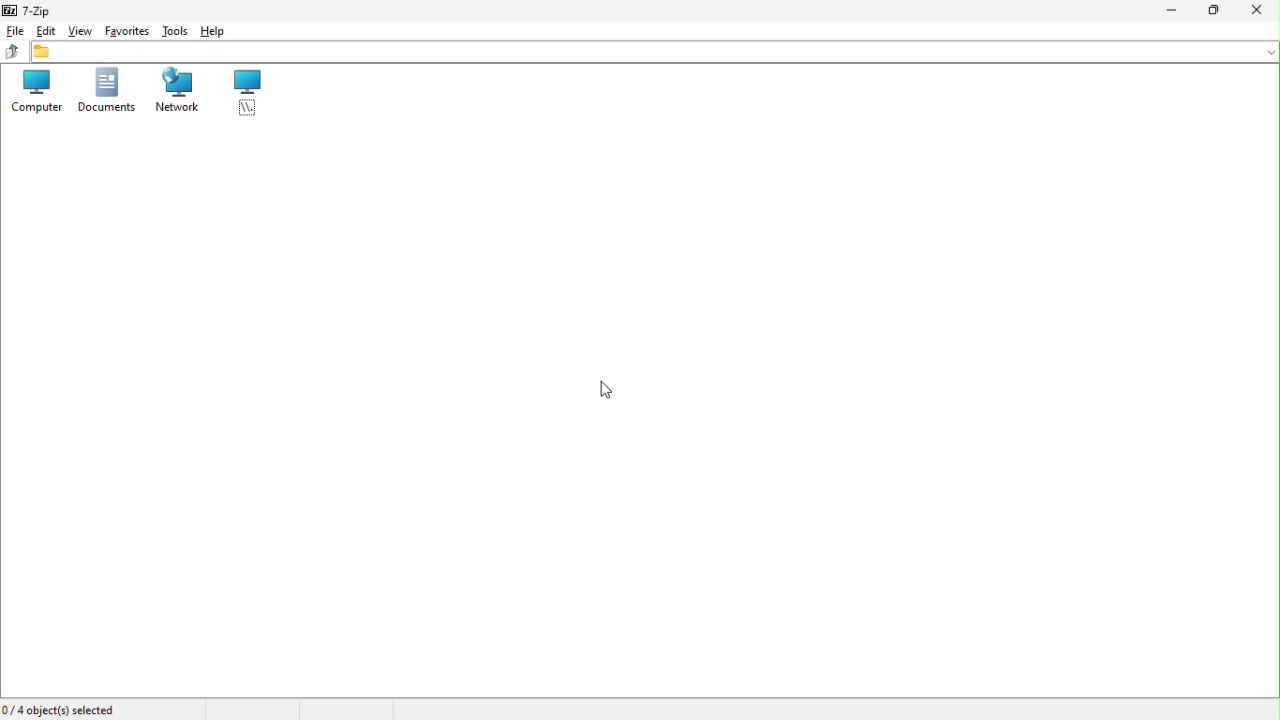 Image resolution: width=1280 pixels, height=720 pixels. Describe the element at coordinates (28, 9) in the screenshot. I see `7 zip` at that location.